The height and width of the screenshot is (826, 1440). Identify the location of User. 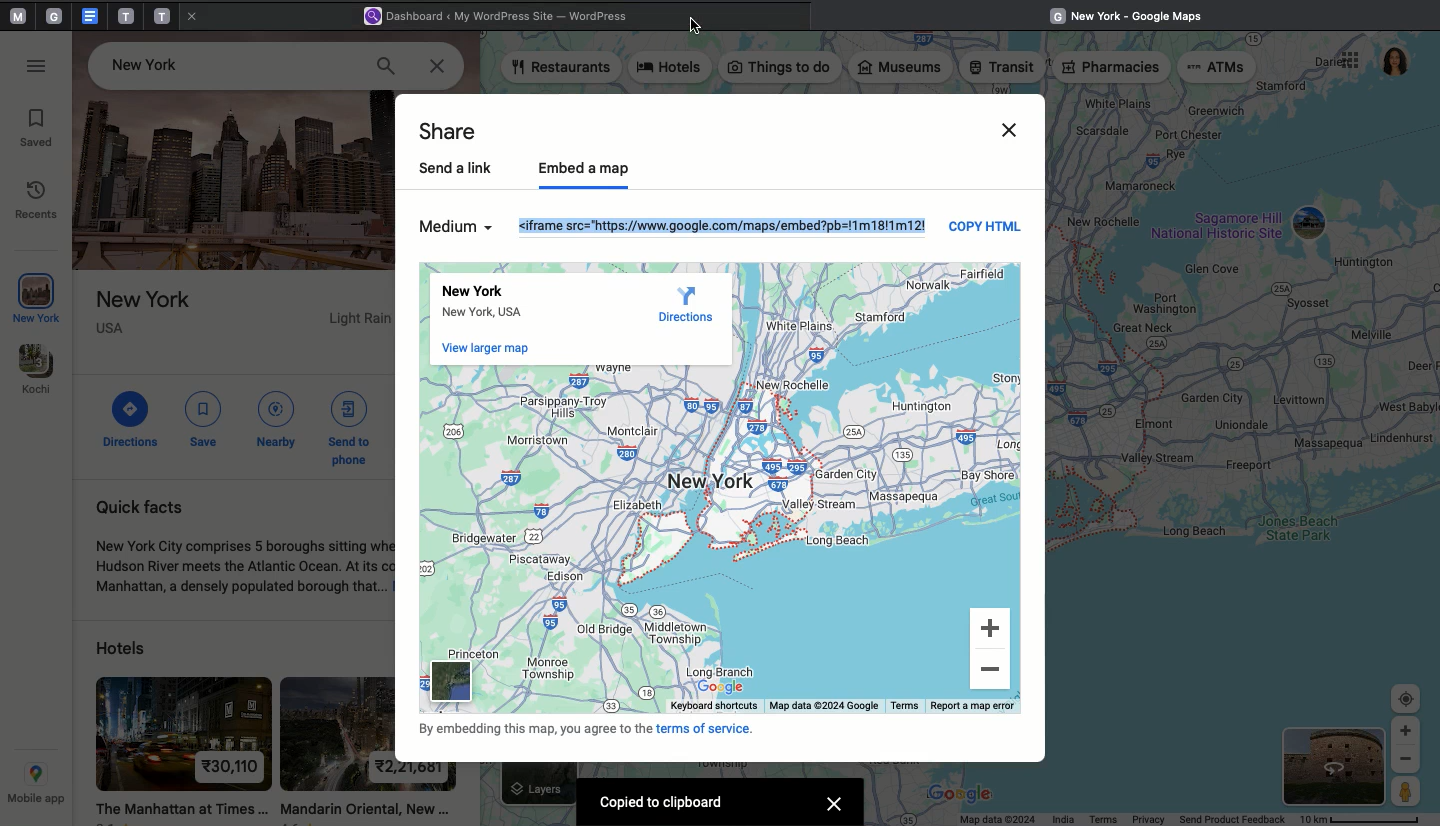
(1395, 62).